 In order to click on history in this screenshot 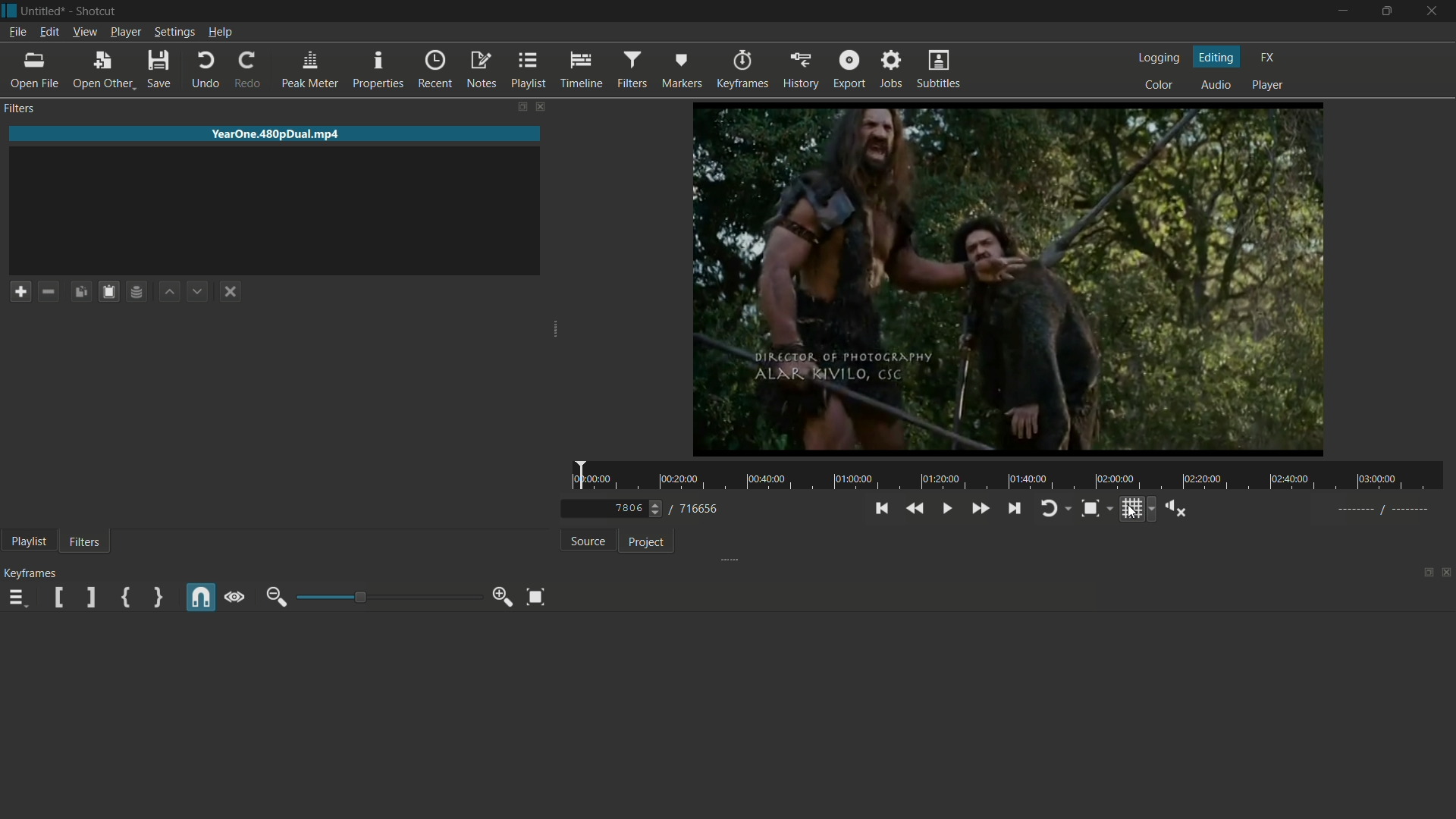, I will do `click(802, 71)`.